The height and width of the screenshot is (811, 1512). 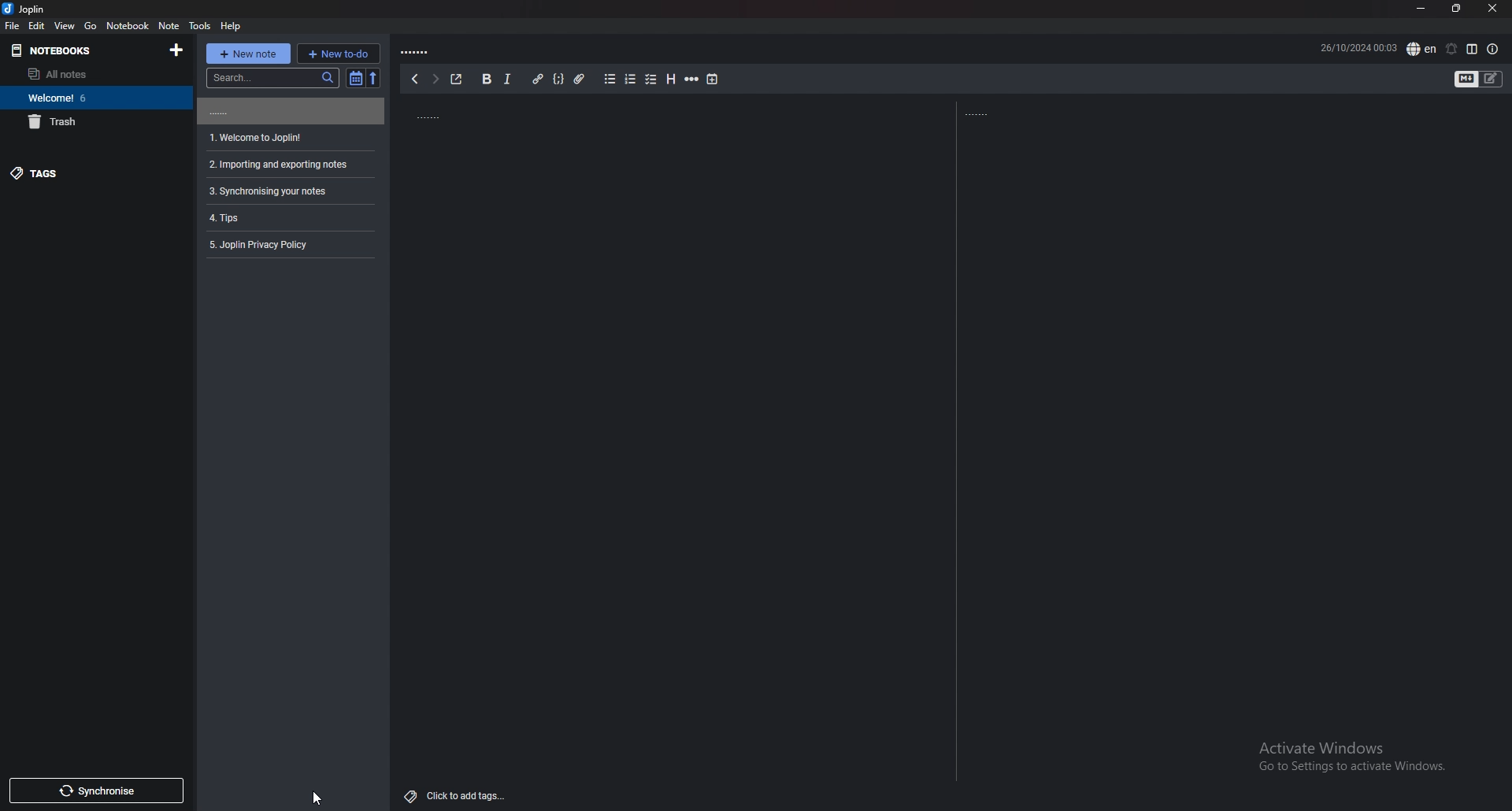 I want to click on 1.Welcome to Joplin!, so click(x=258, y=136).